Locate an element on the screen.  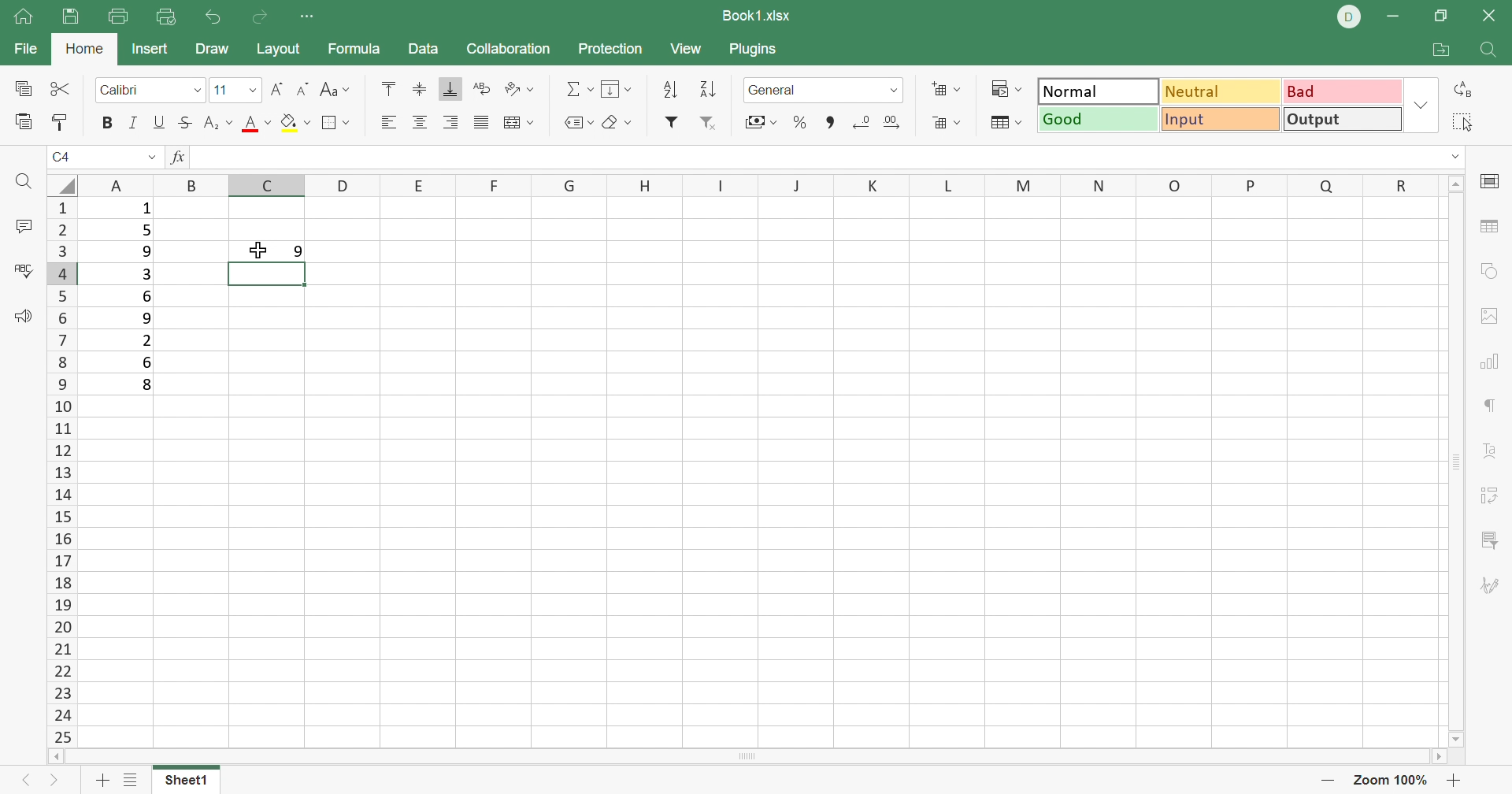
View is located at coordinates (687, 47).